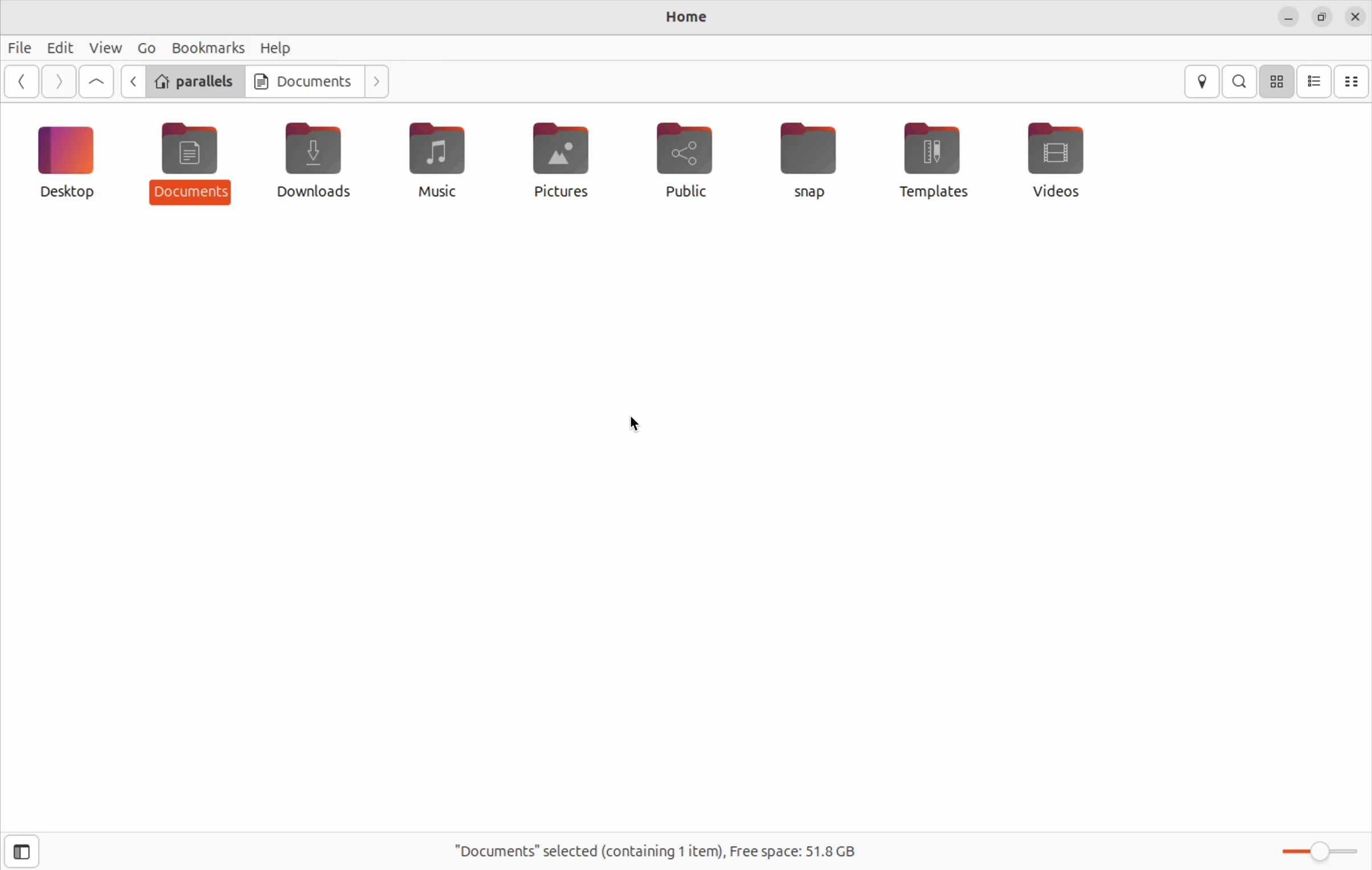  What do you see at coordinates (377, 81) in the screenshot?
I see `next` at bounding box center [377, 81].